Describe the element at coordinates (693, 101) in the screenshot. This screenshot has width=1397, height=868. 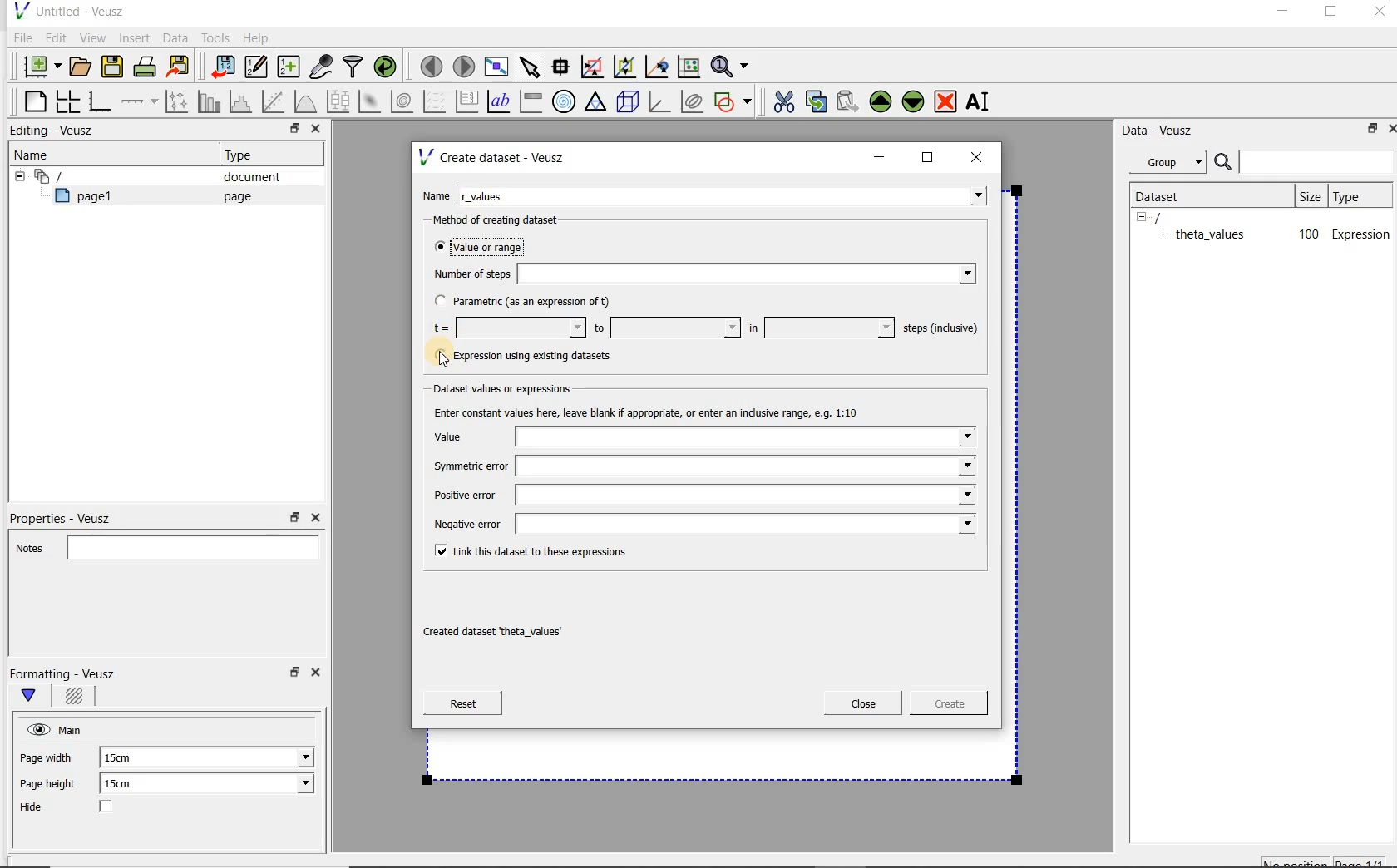
I see `plot covariance ellipses` at that location.